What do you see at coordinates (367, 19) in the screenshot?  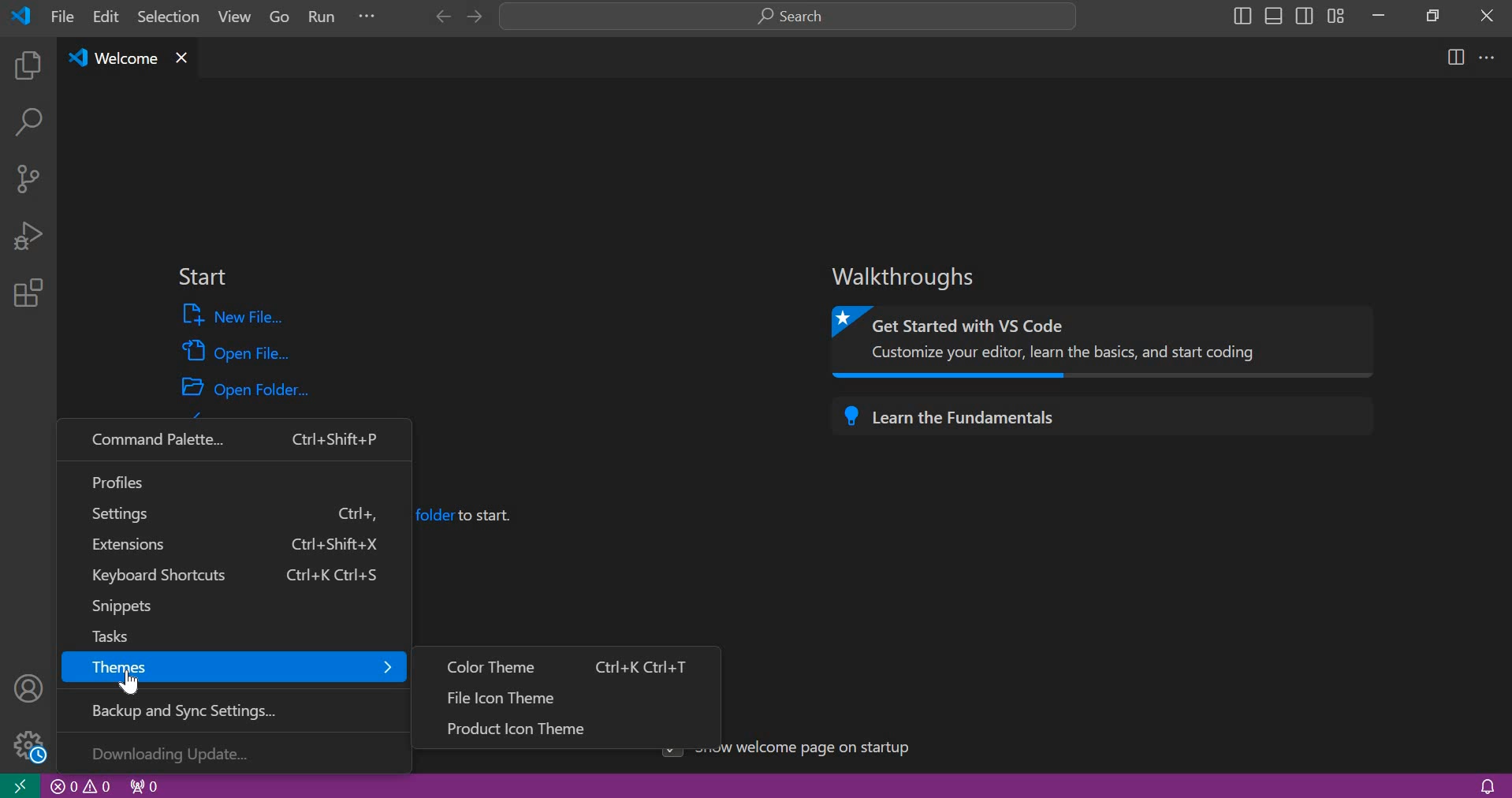 I see `expand` at bounding box center [367, 19].